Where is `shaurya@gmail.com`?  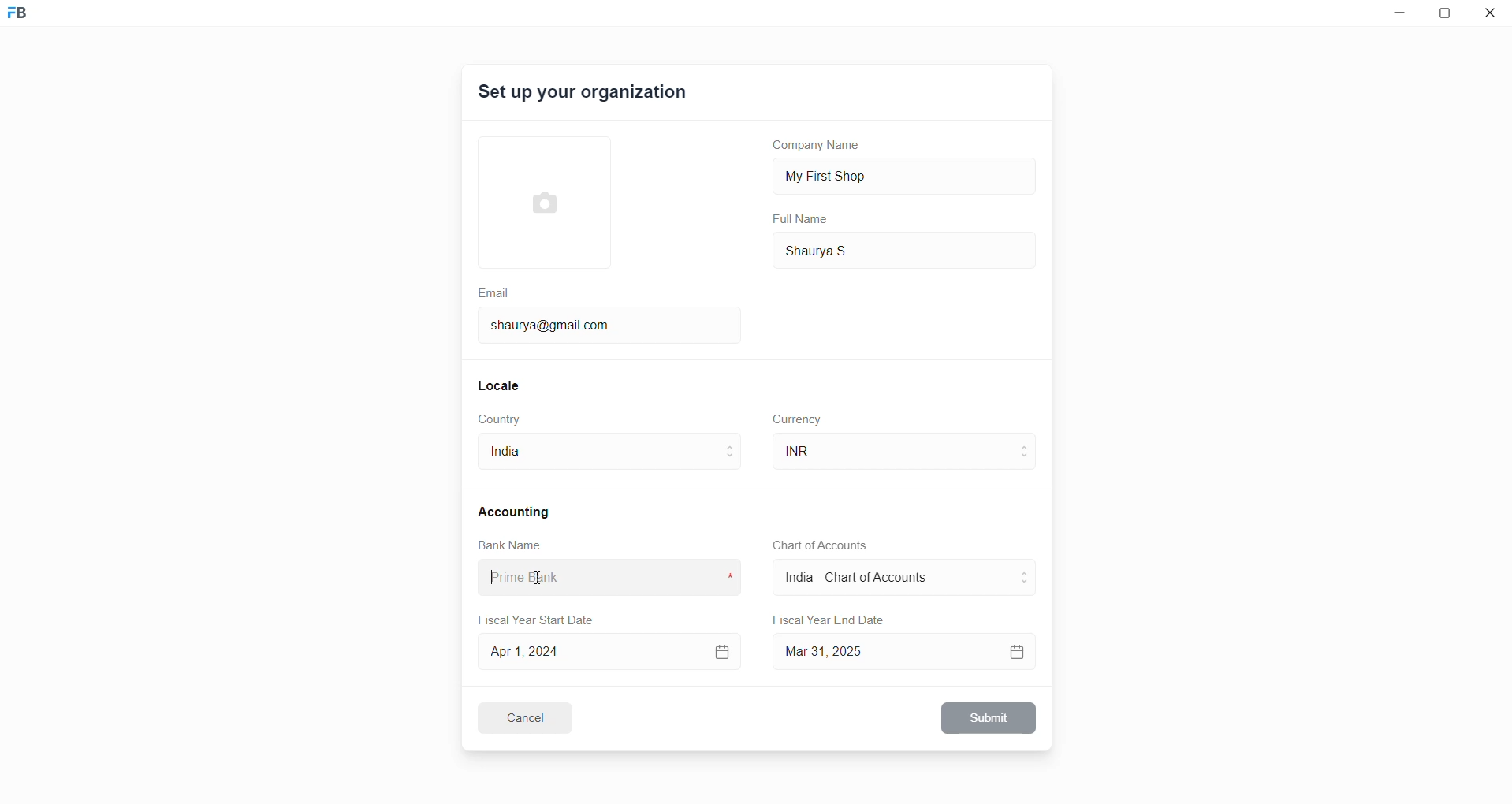 shaurya@gmail.com is located at coordinates (556, 323).